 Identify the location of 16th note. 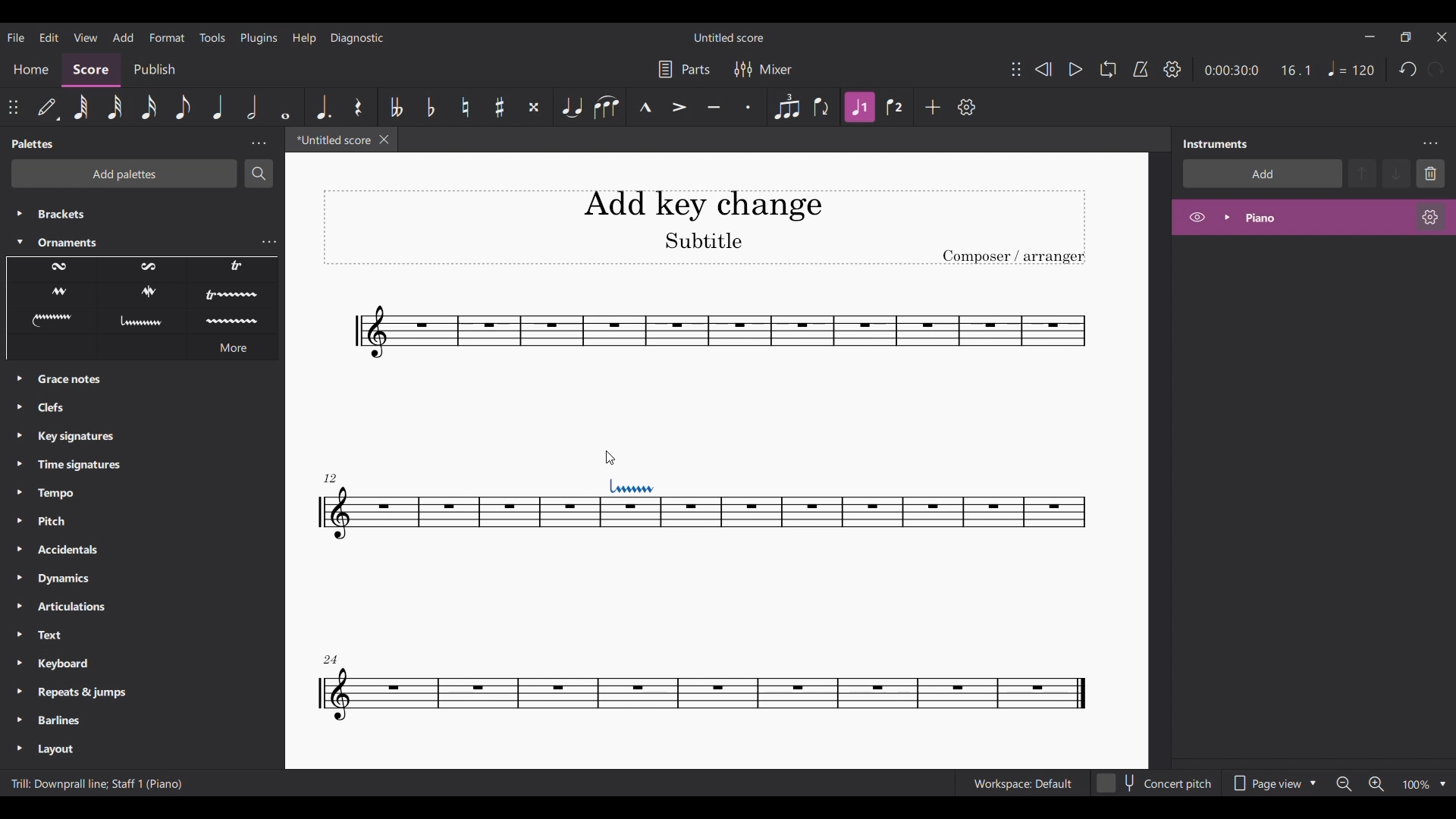
(149, 106).